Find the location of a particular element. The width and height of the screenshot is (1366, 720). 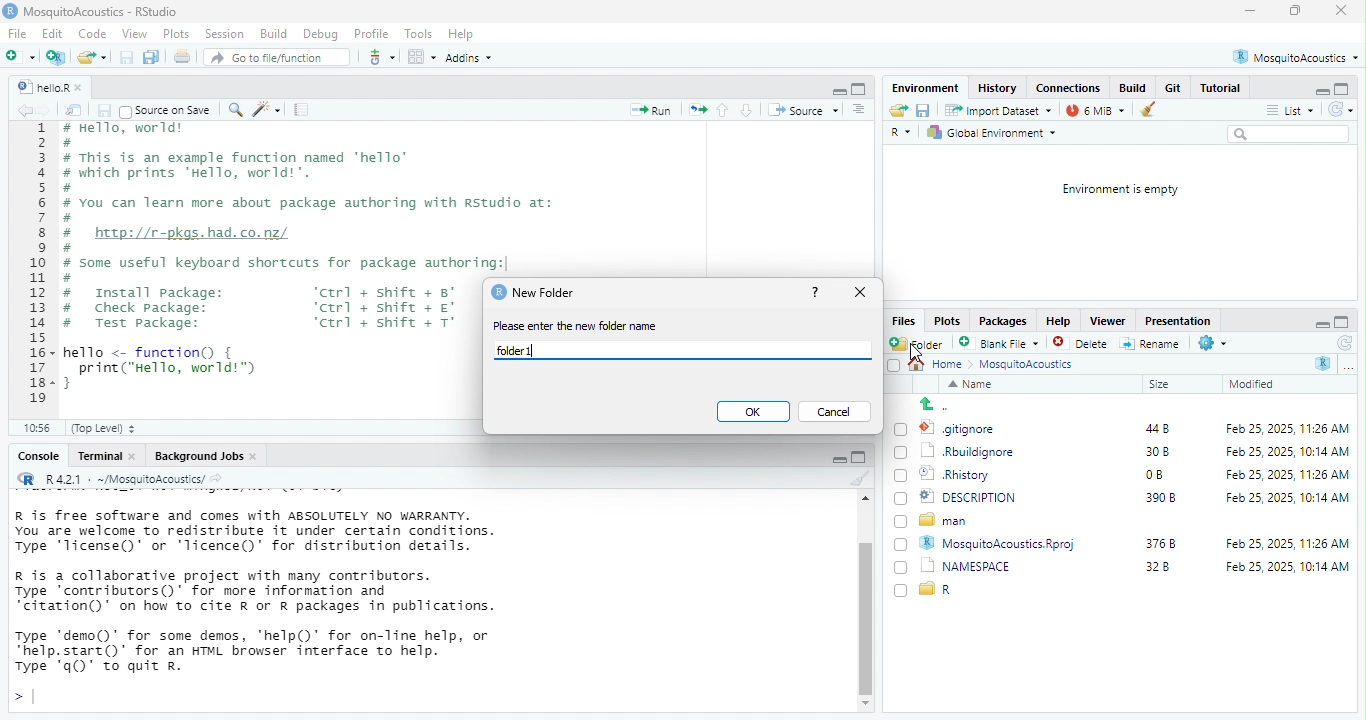

hide console is located at coordinates (1341, 87).